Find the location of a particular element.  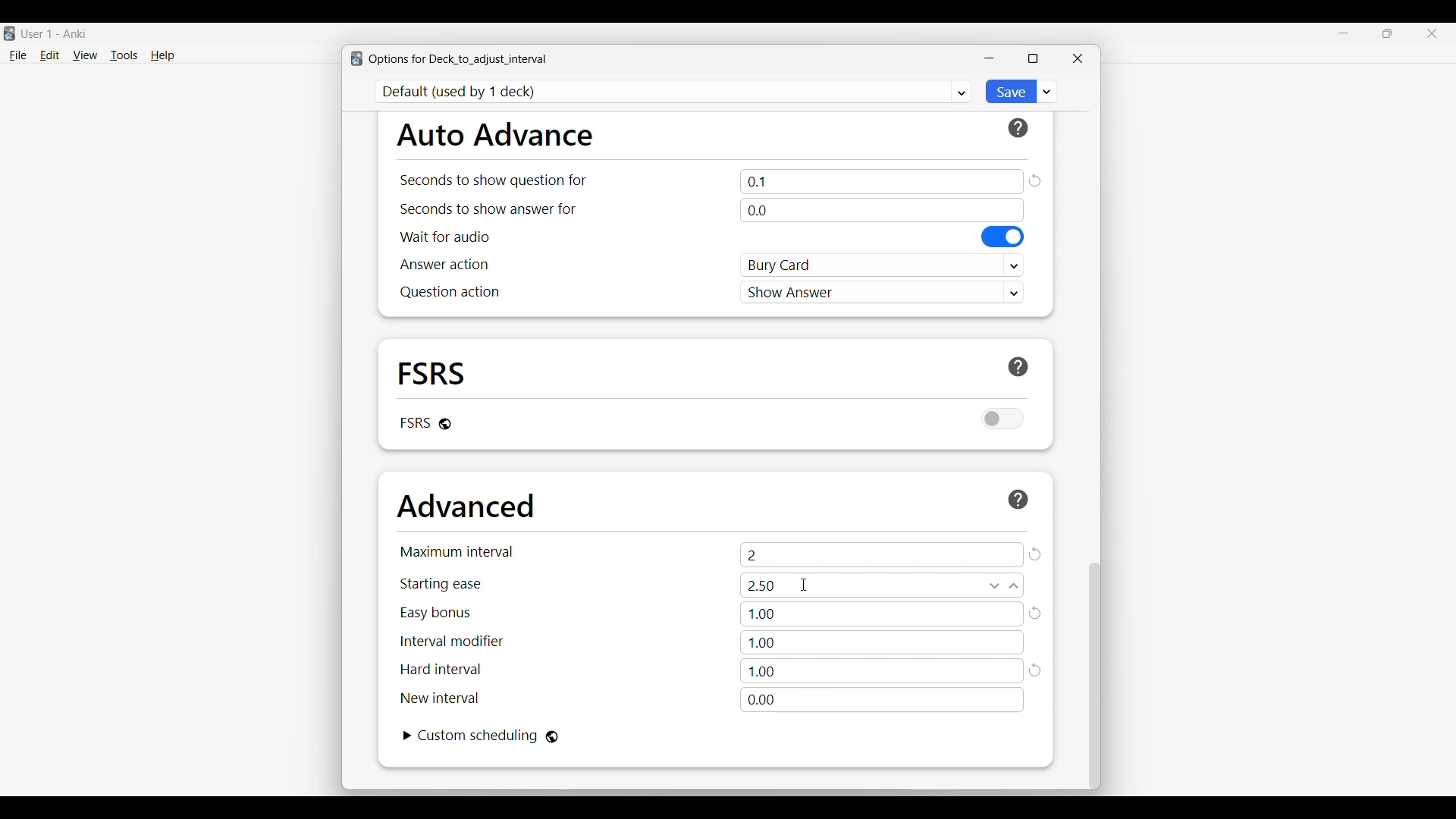

Indicates new interval is located at coordinates (439, 698).